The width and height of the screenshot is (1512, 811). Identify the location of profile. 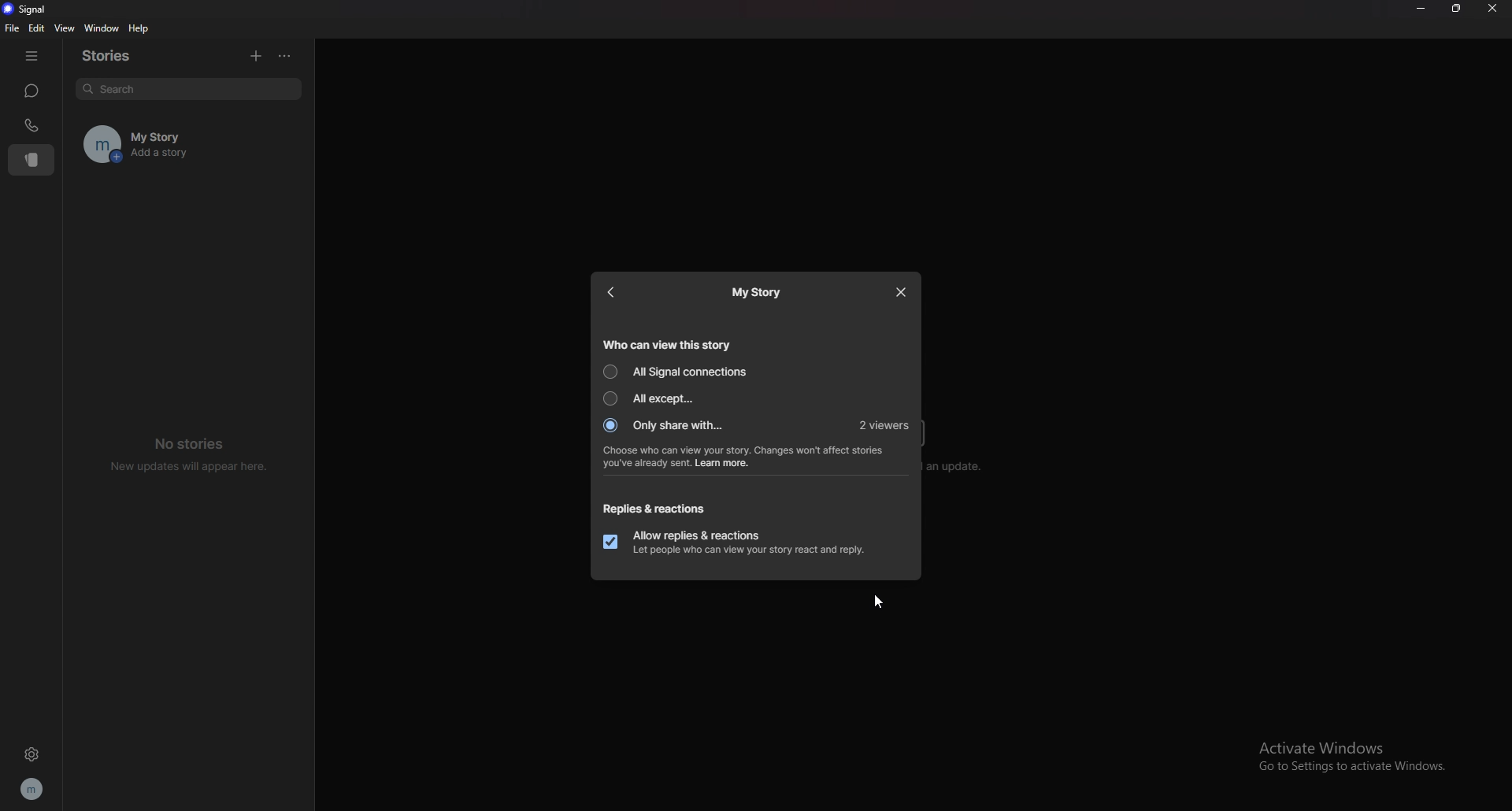
(33, 787).